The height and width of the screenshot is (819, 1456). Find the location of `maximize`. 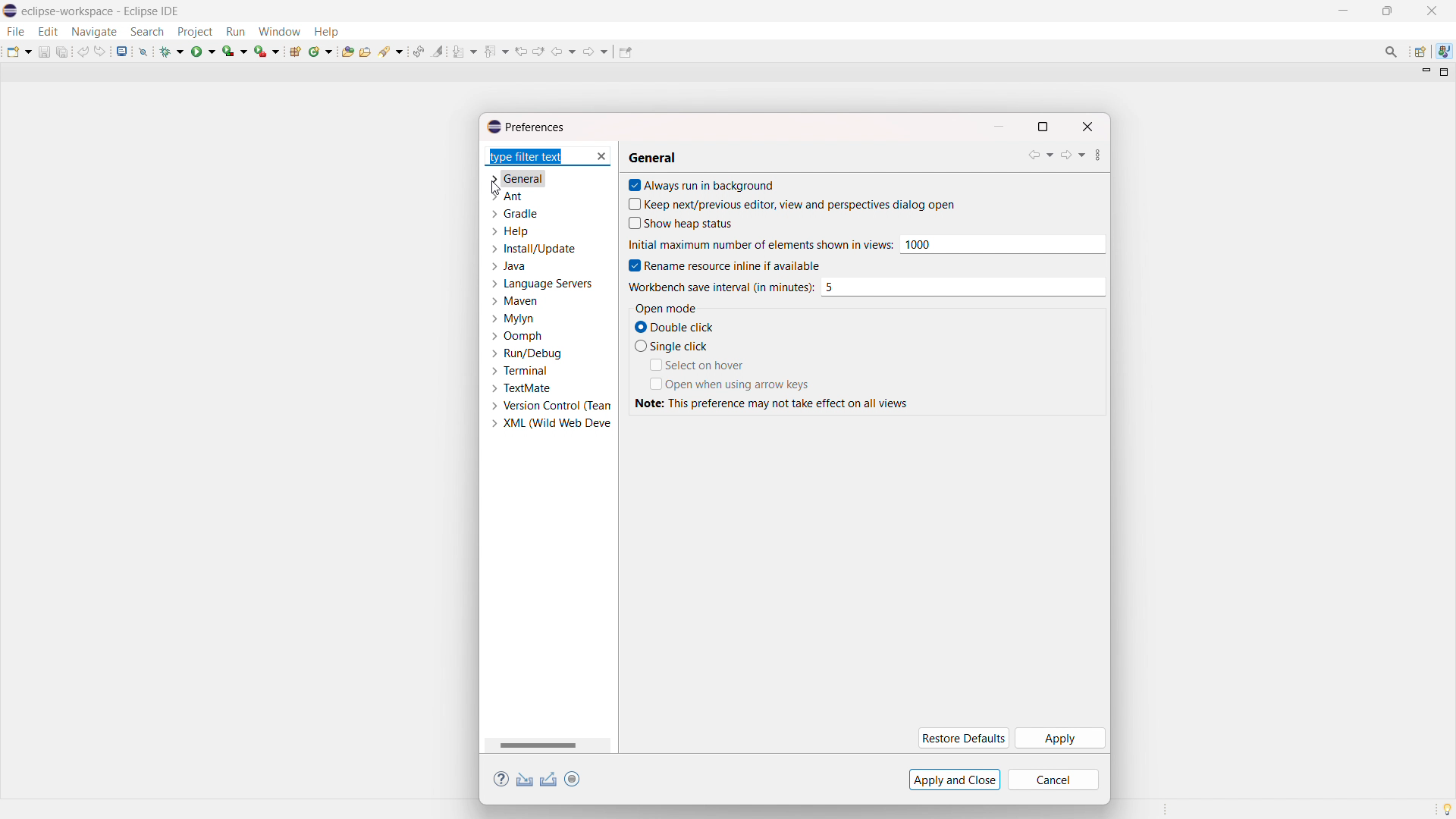

maximize is located at coordinates (1387, 11).